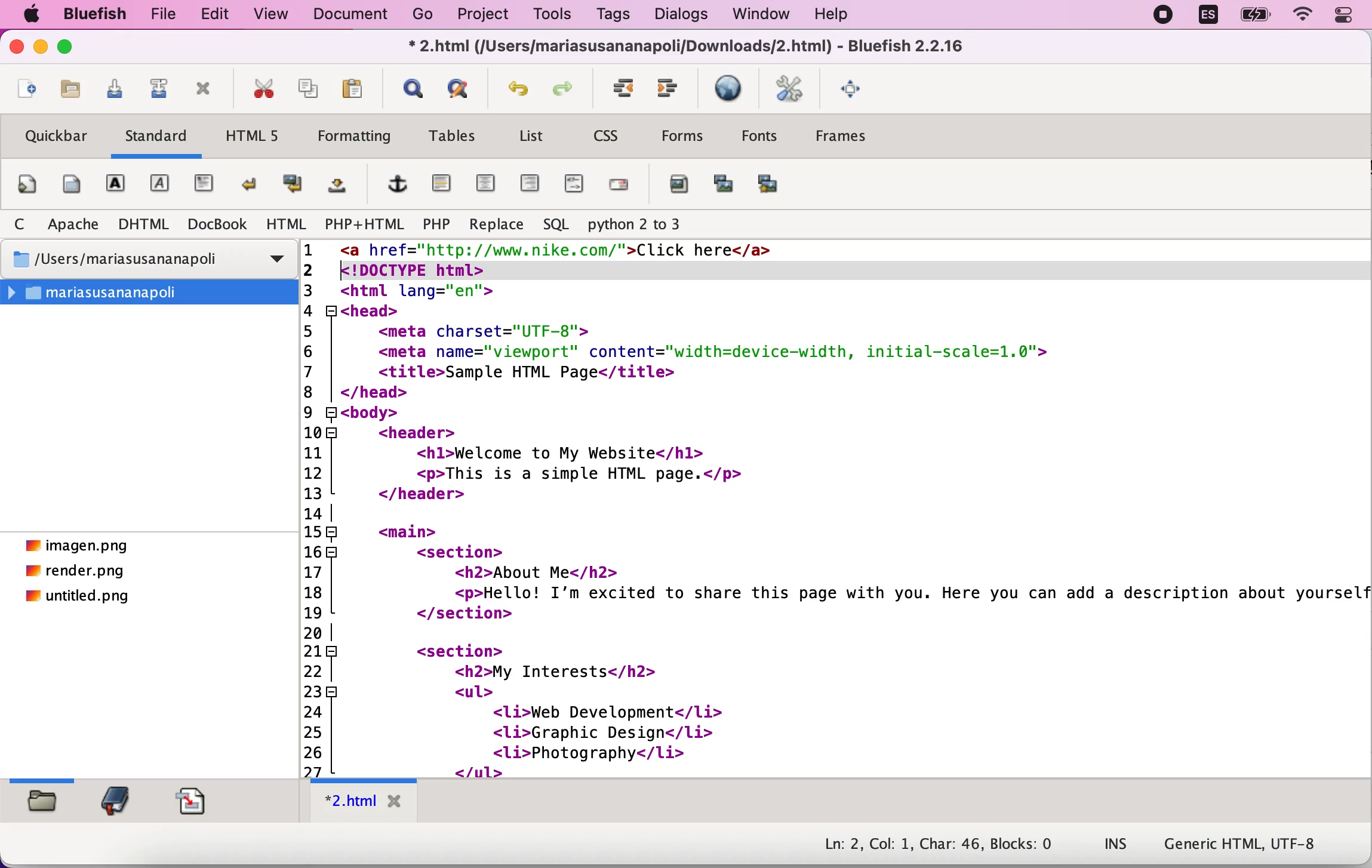  Describe the element at coordinates (354, 134) in the screenshot. I see `formatting` at that location.